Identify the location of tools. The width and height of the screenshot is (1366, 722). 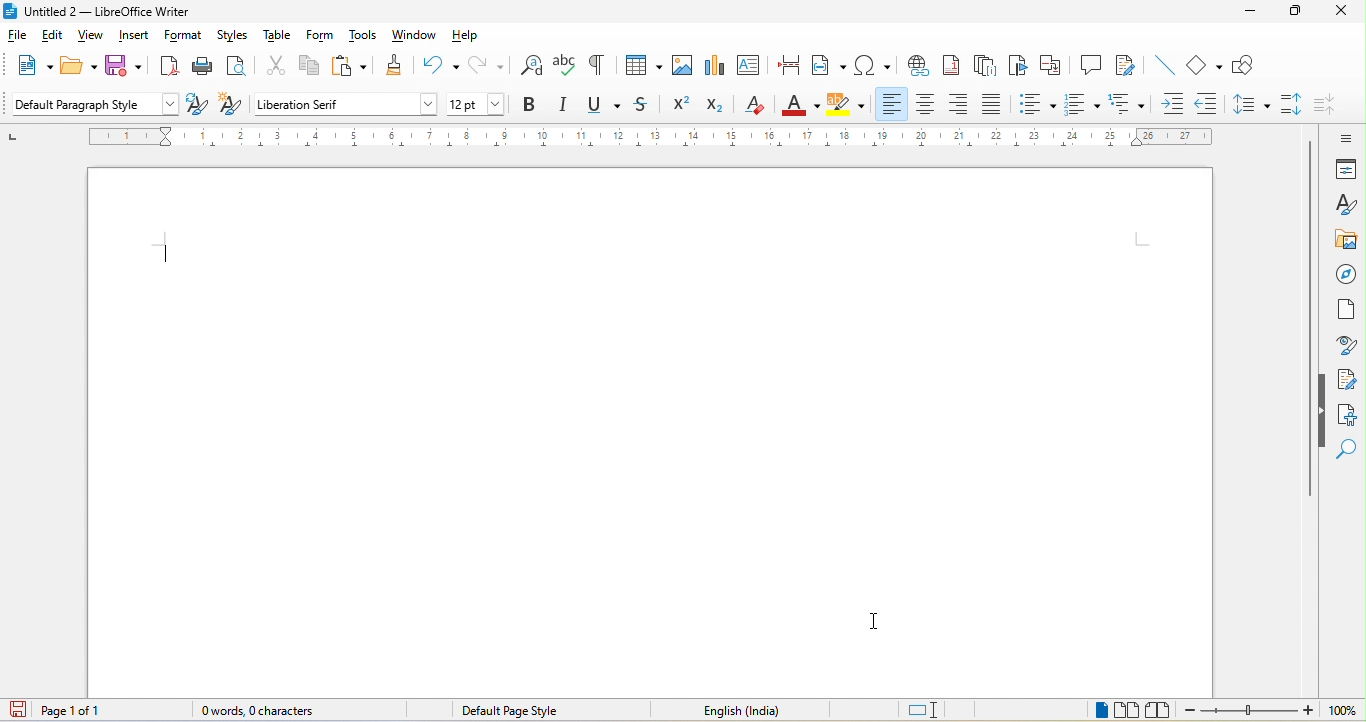
(368, 38).